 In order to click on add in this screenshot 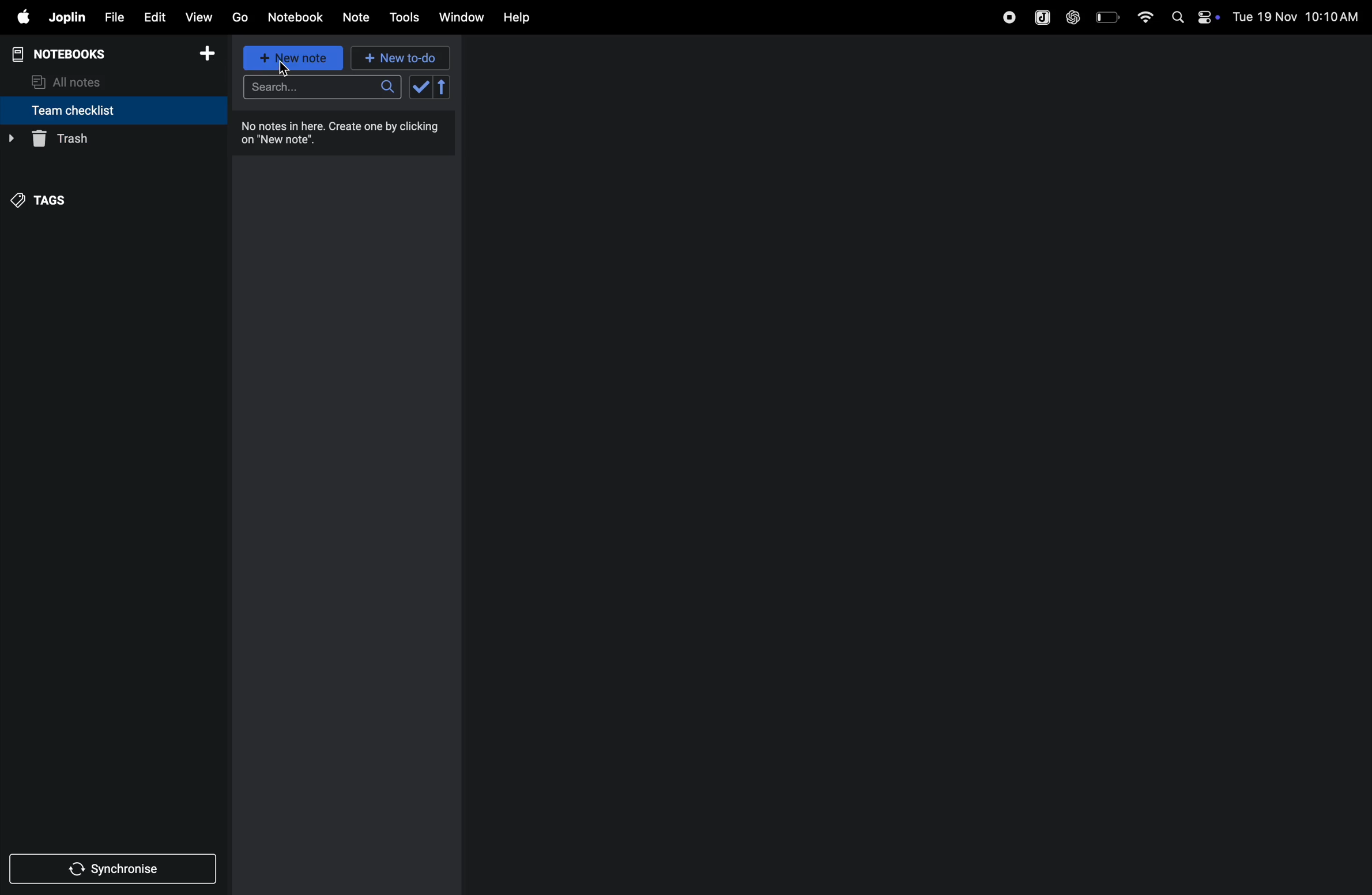, I will do `click(212, 54)`.